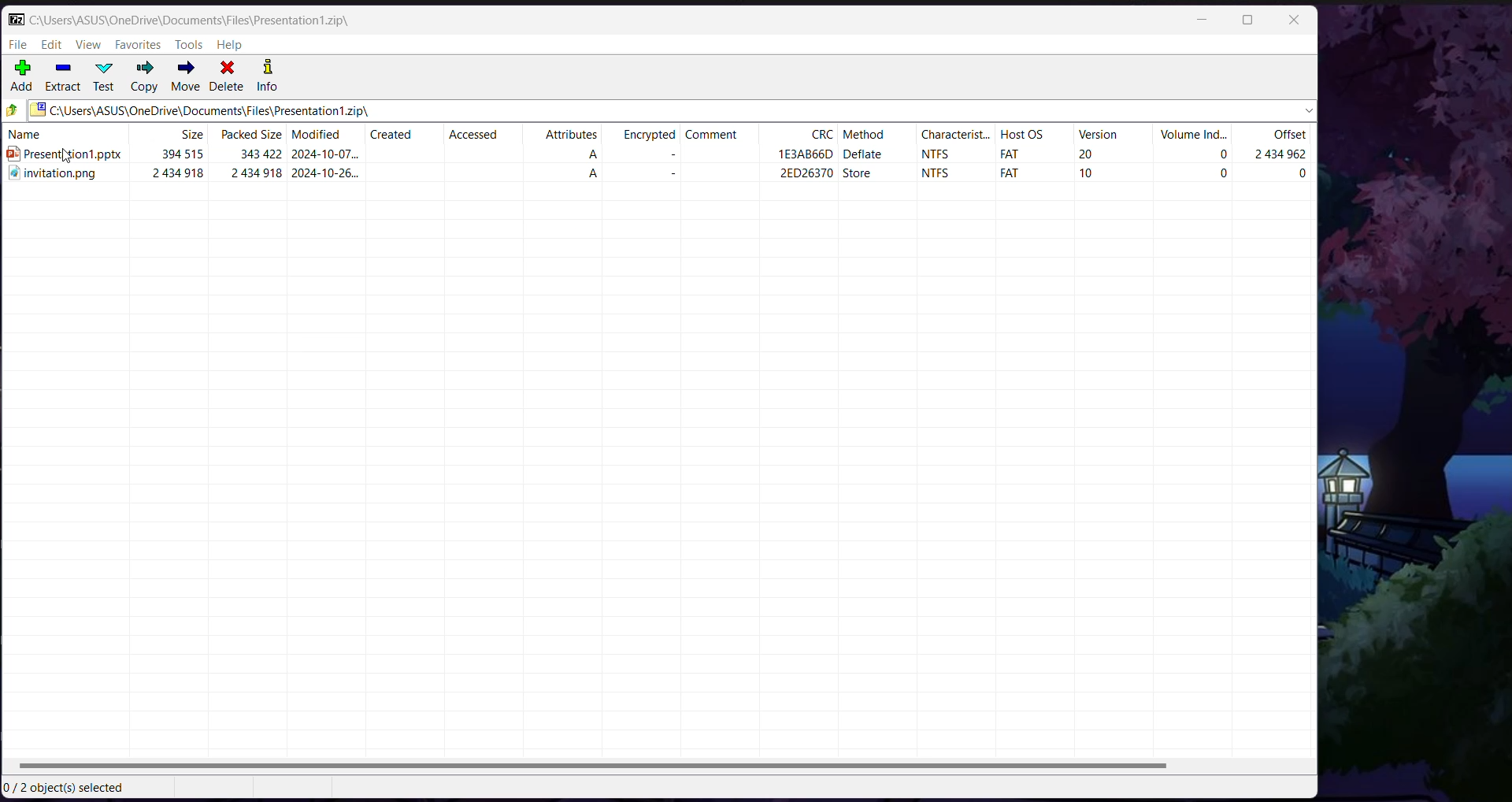 The image size is (1512, 802). What do you see at coordinates (864, 176) in the screenshot?
I see `store` at bounding box center [864, 176].